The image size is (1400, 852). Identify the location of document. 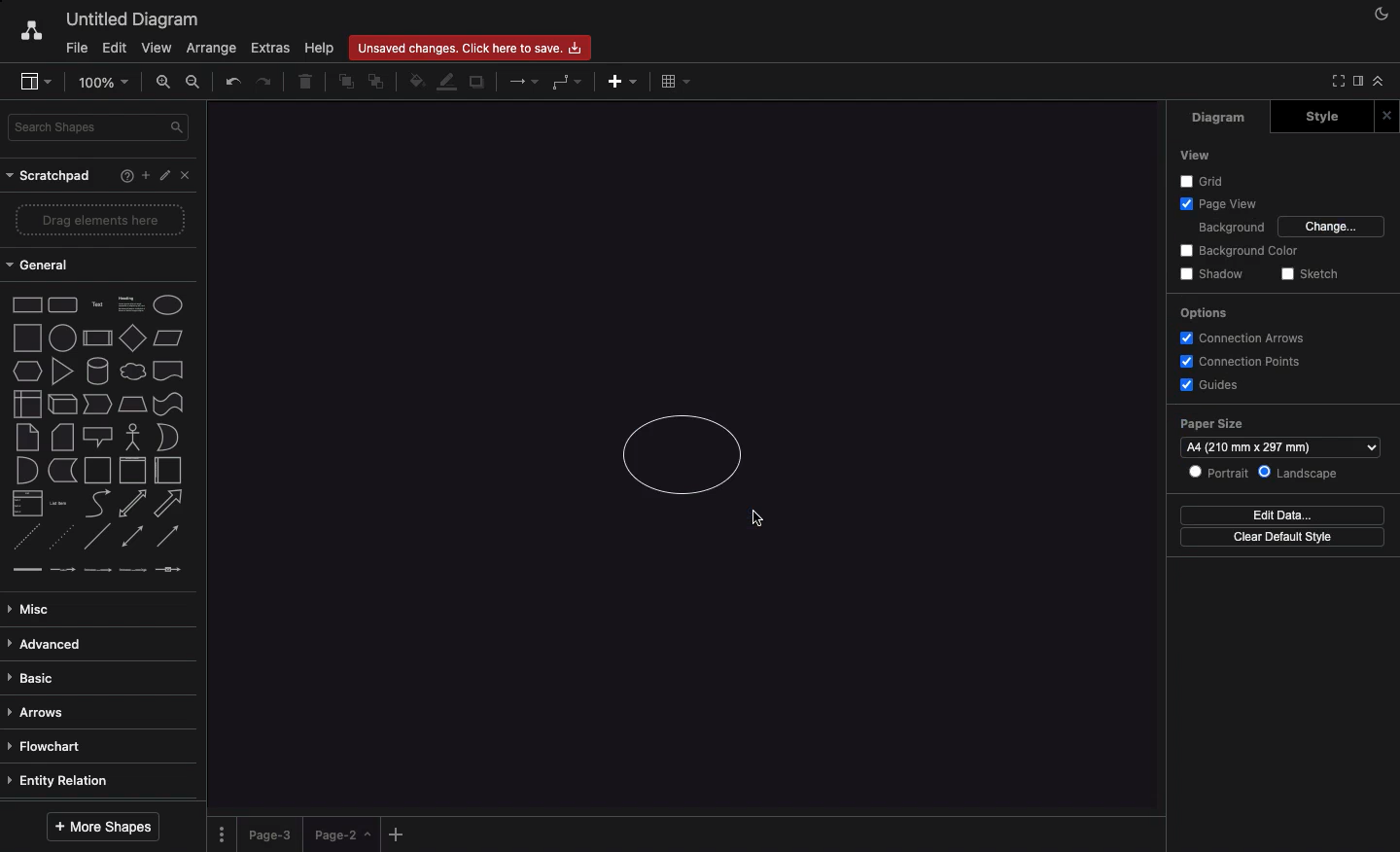
(169, 371).